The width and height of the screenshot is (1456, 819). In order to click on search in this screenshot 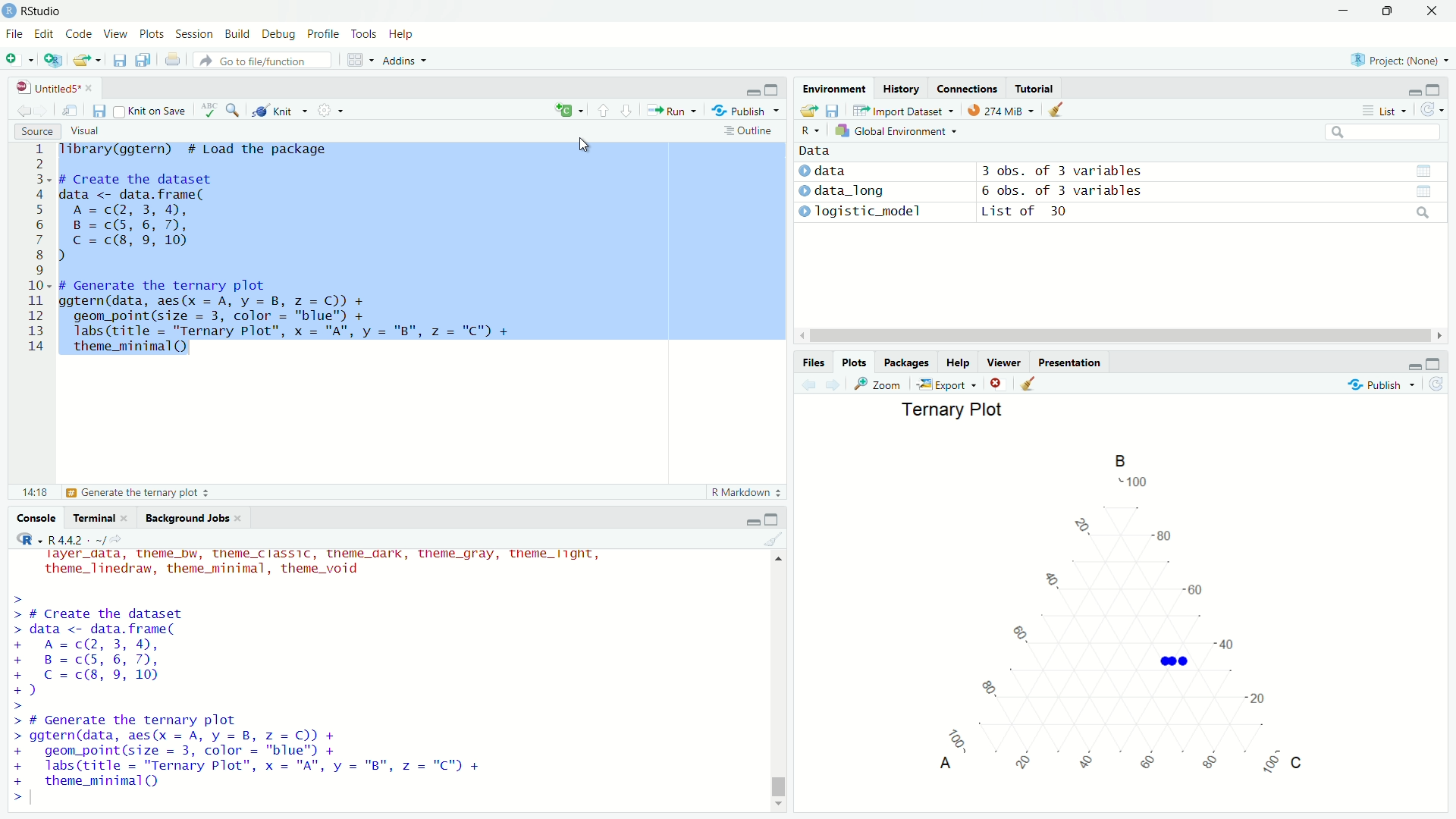, I will do `click(1381, 133)`.